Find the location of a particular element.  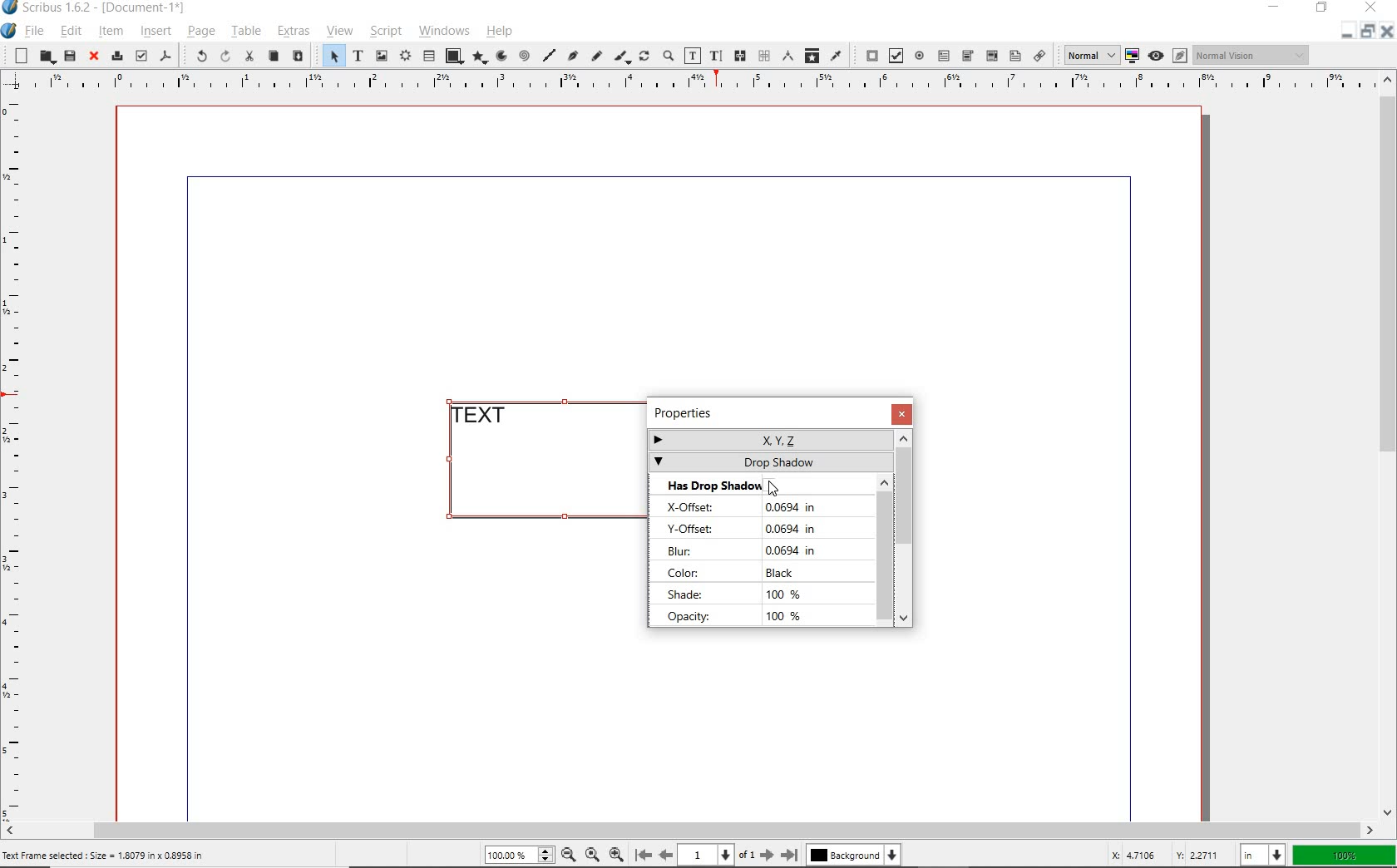

freehand line is located at coordinates (597, 57).